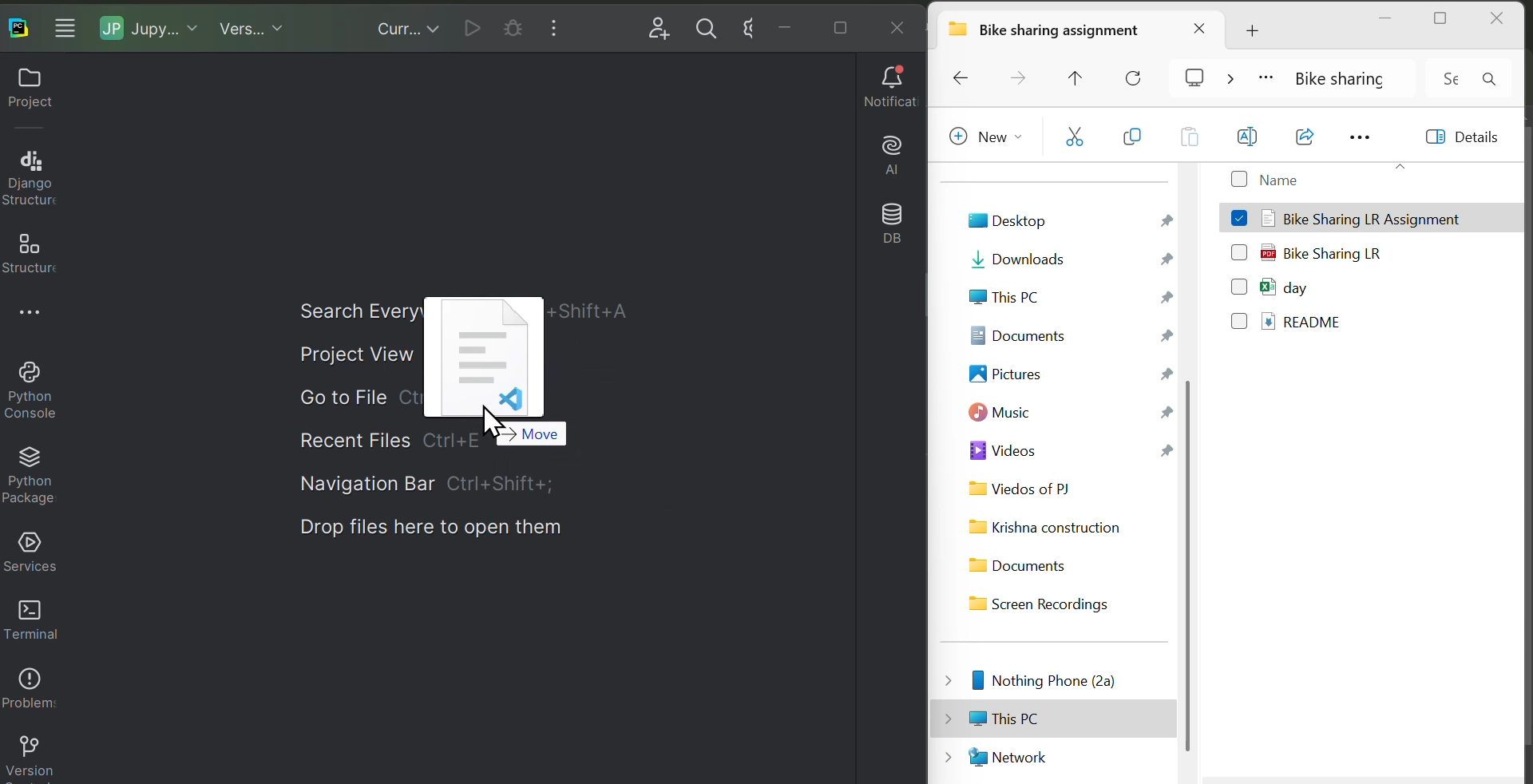  I want to click on close, so click(1498, 21).